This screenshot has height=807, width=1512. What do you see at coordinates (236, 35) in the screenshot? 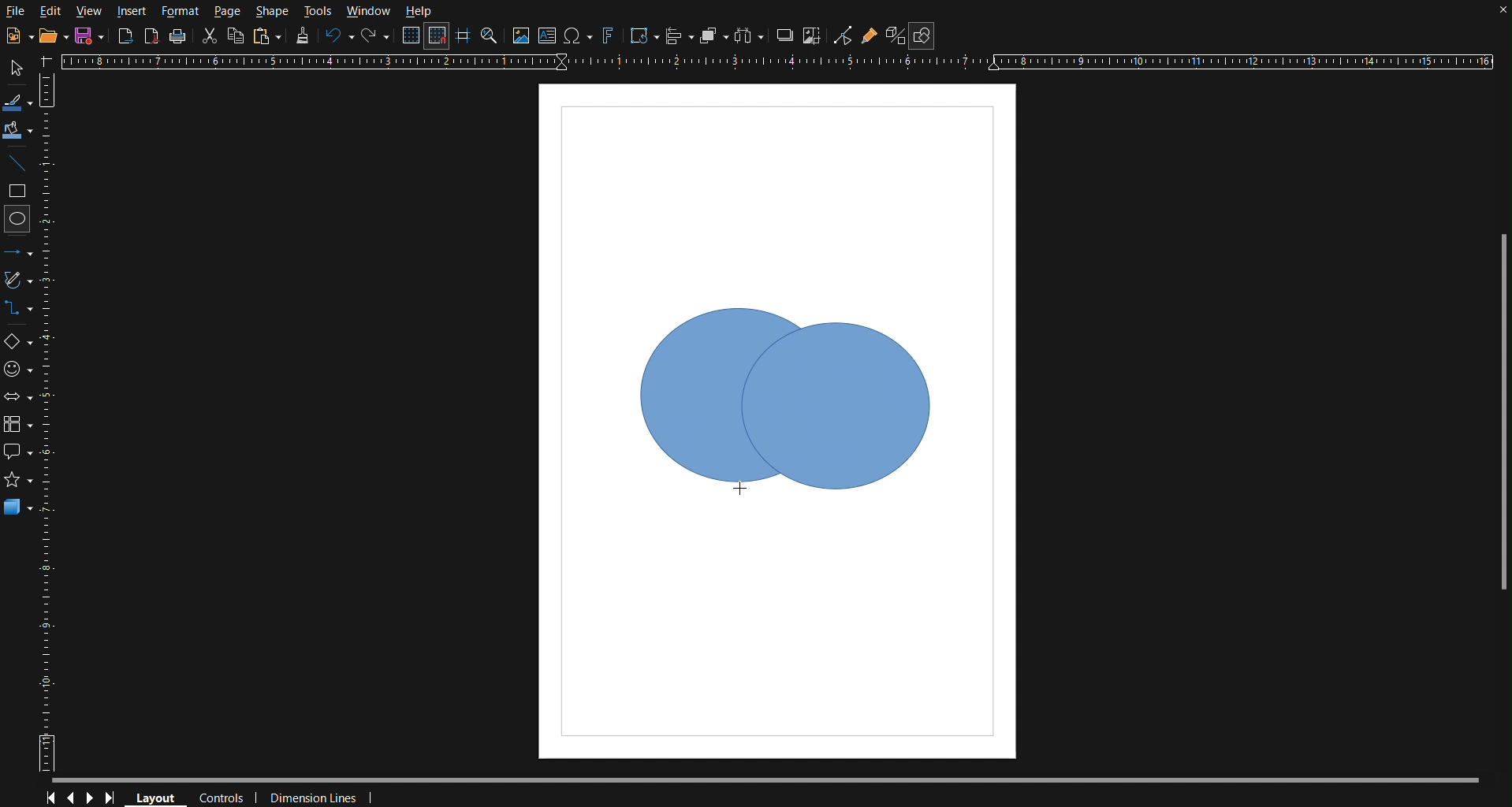
I see `Copy` at bounding box center [236, 35].